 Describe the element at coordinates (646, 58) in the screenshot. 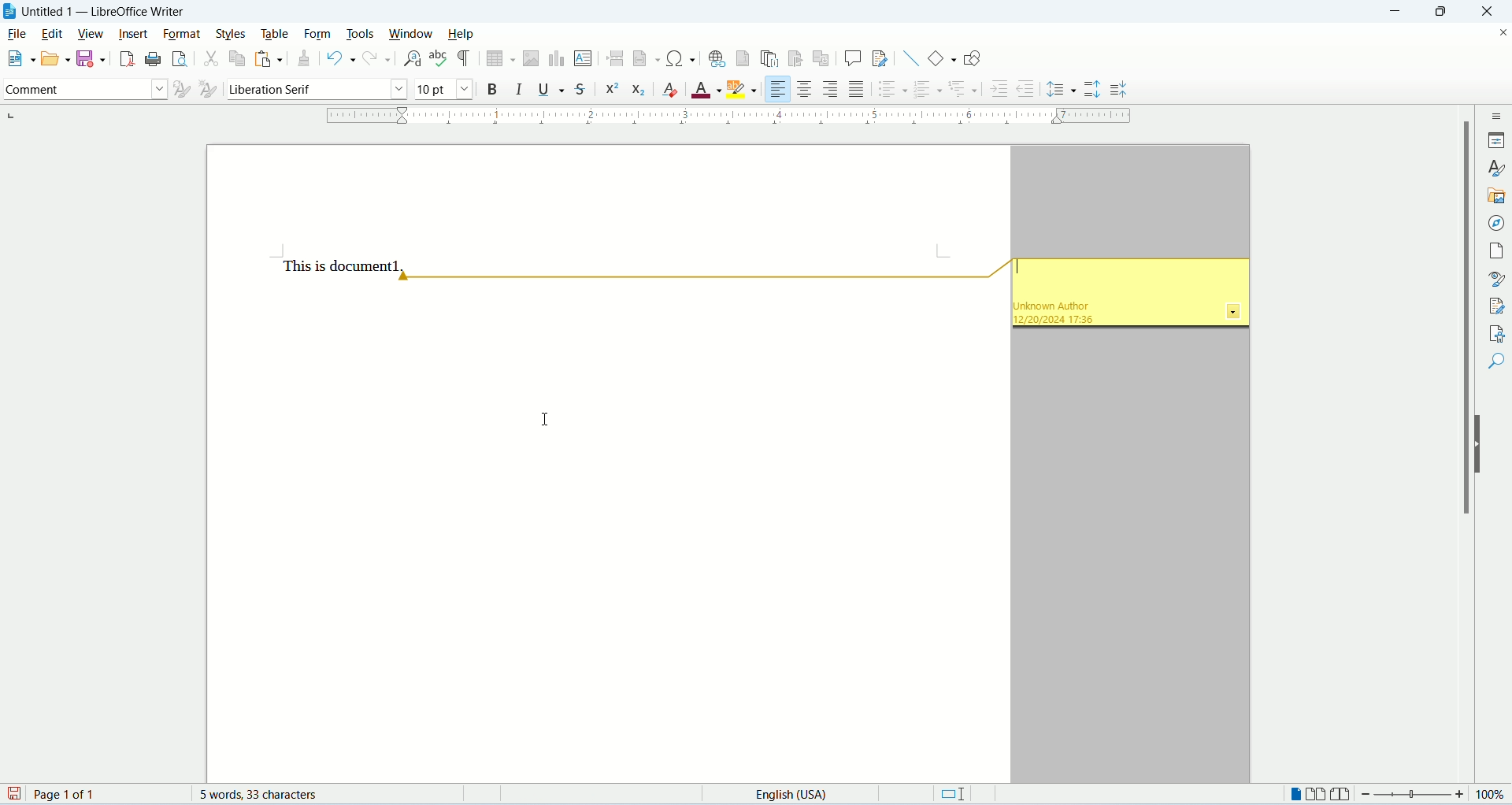

I see `insert field` at that location.